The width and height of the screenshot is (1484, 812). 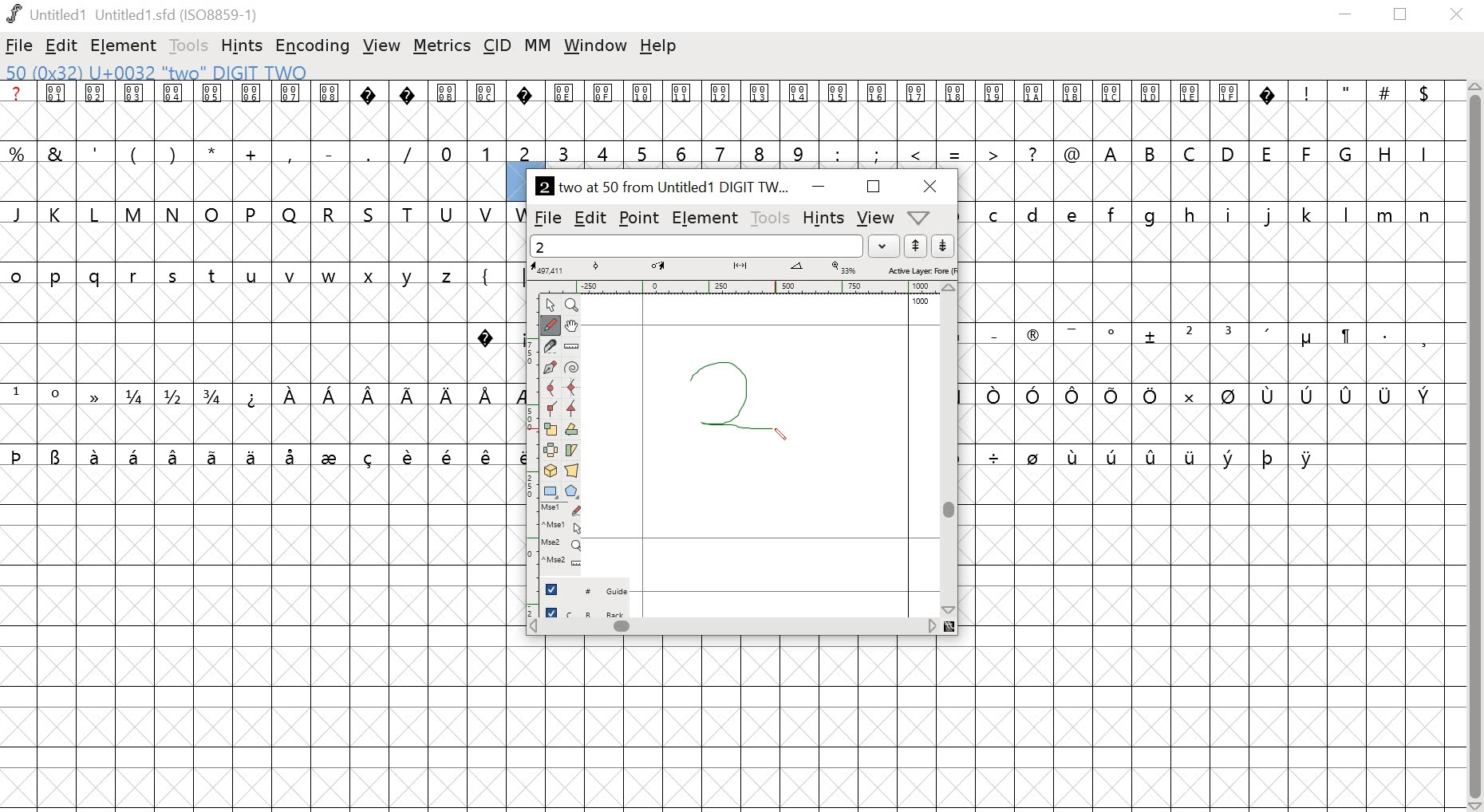 I want to click on up, so click(x=916, y=246).